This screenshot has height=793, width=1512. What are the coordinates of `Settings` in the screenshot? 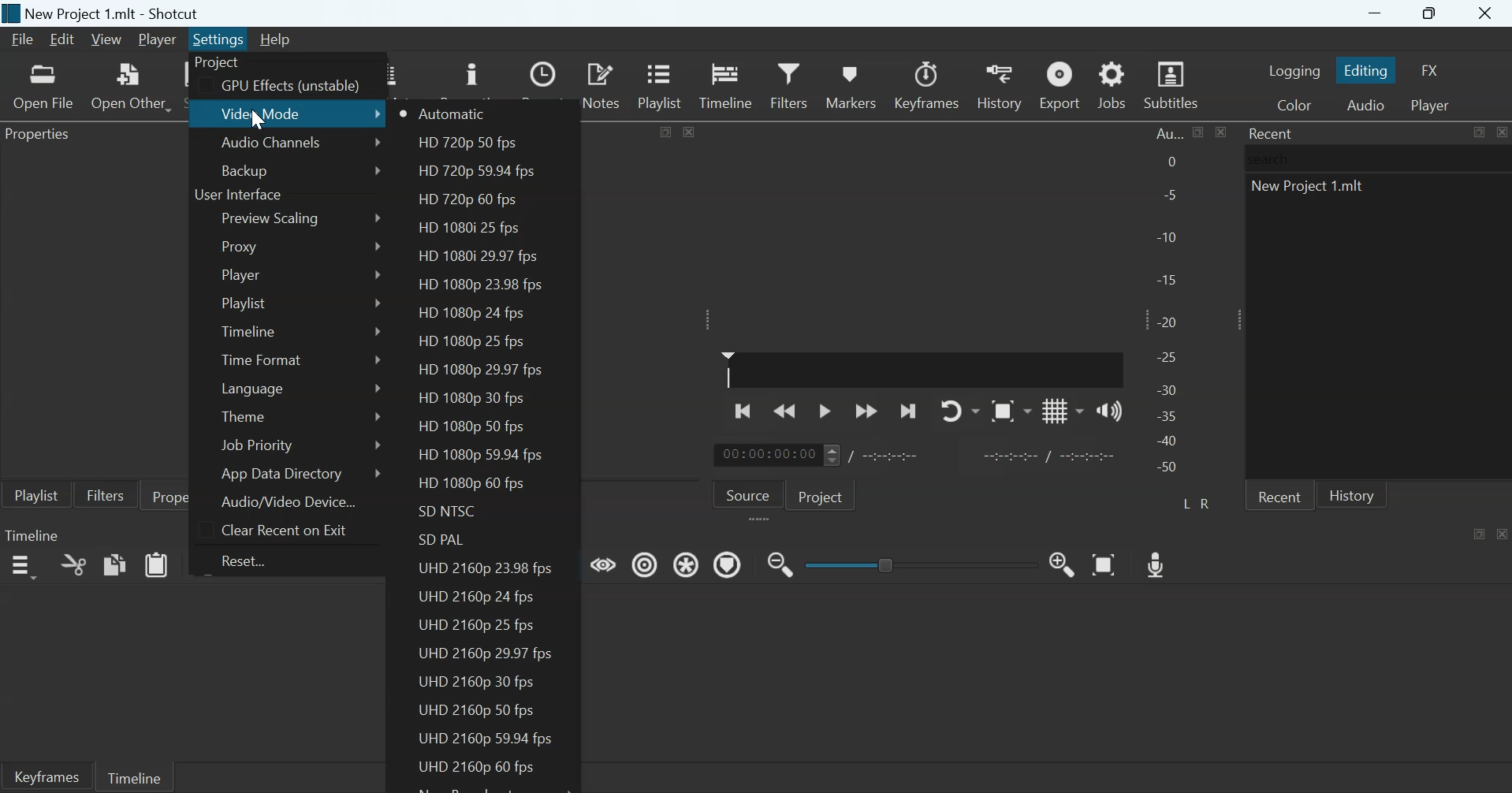 It's located at (218, 39).